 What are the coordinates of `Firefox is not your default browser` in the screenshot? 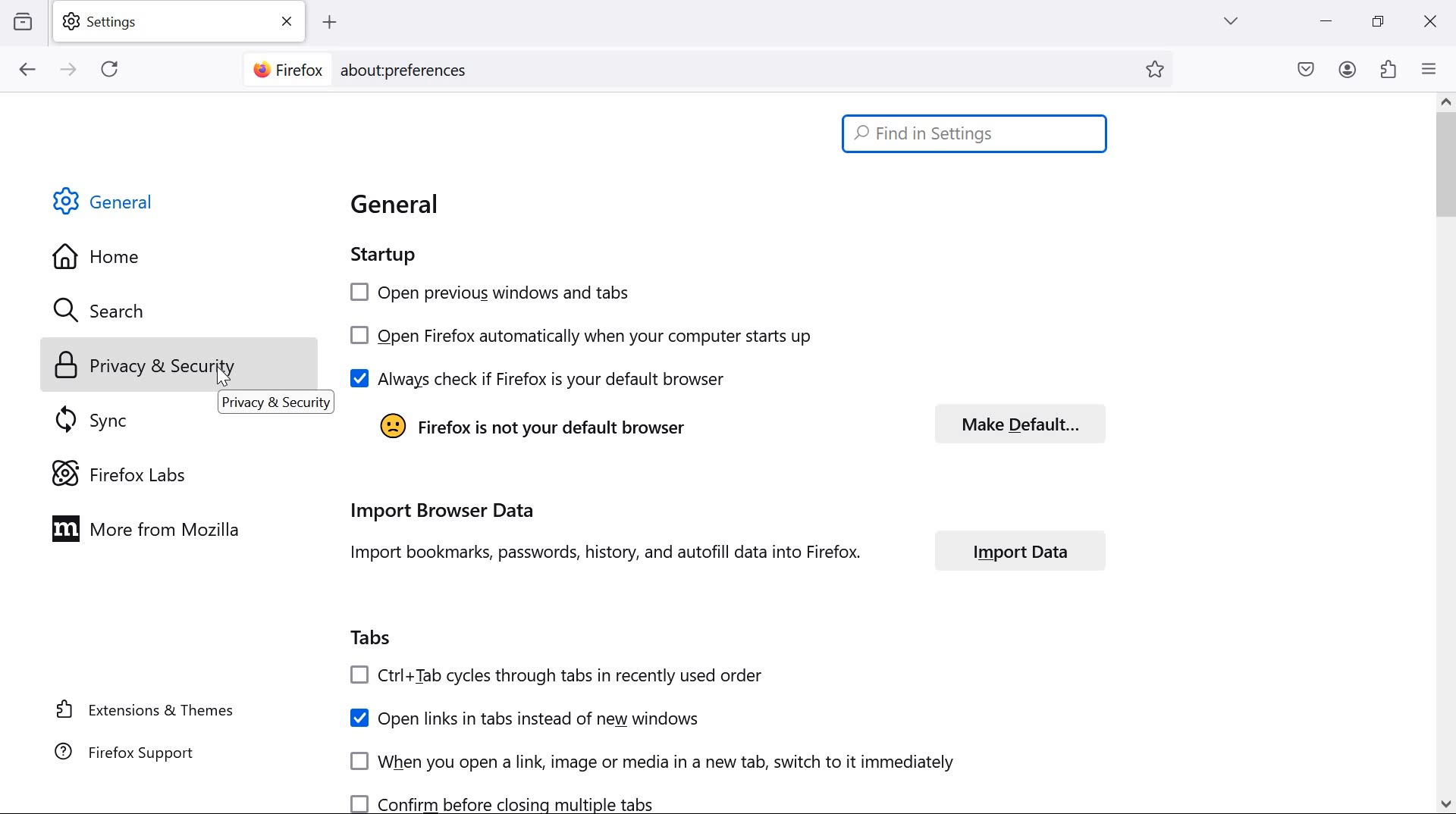 It's located at (526, 429).